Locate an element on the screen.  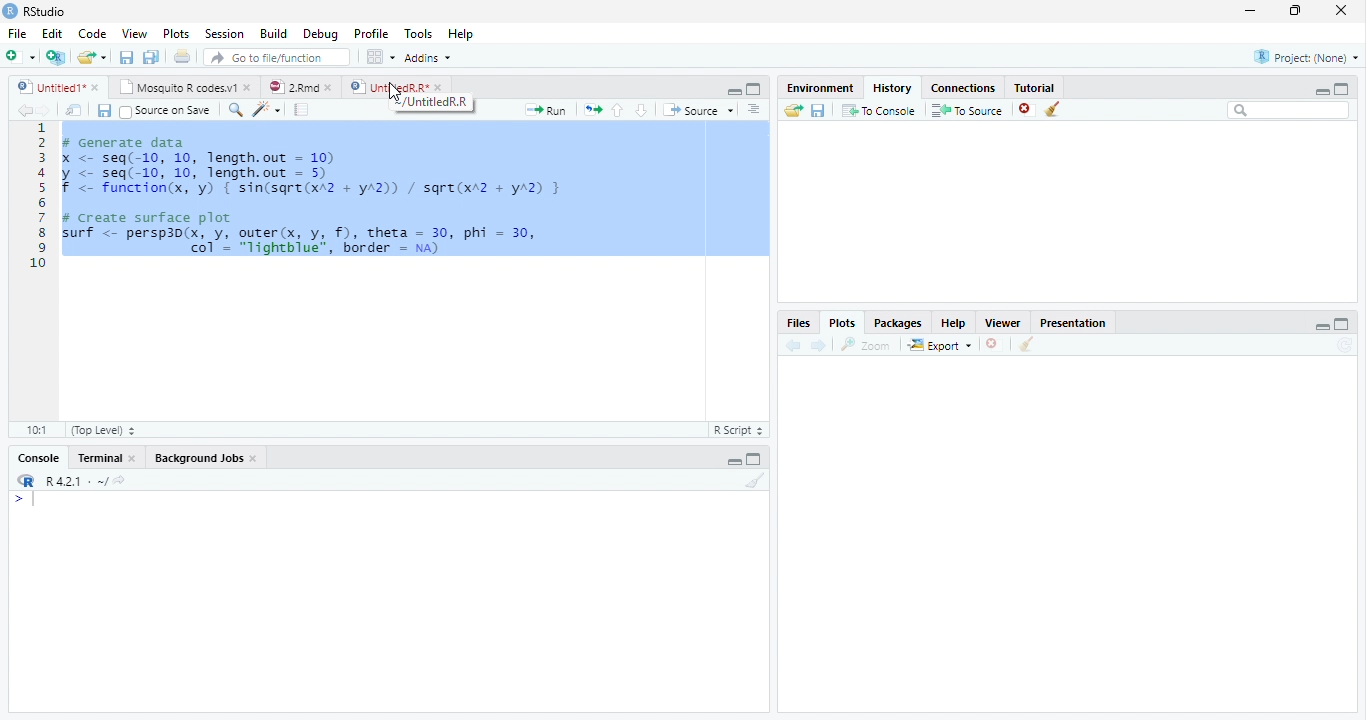
Connections is located at coordinates (963, 87).